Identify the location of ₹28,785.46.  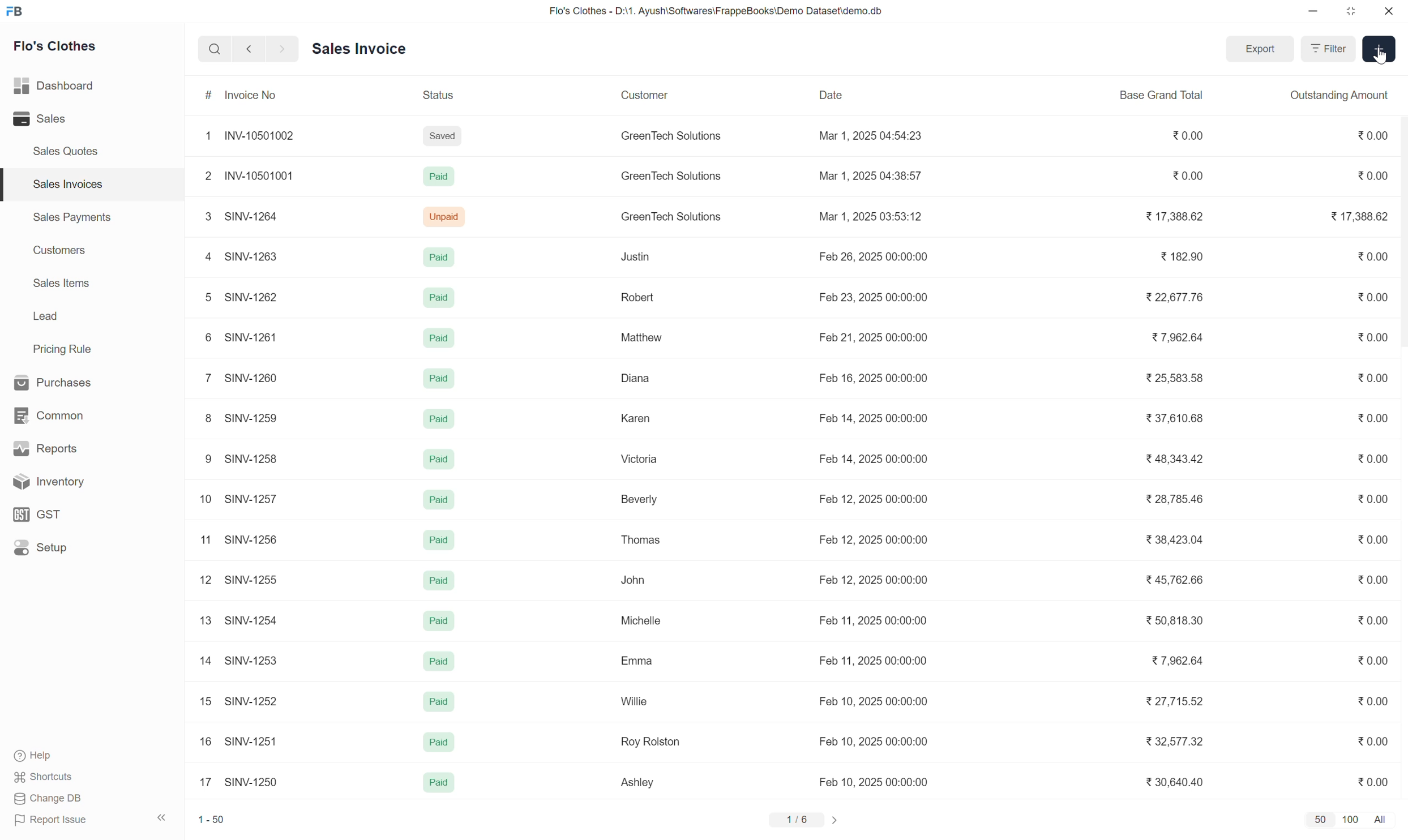
(1171, 503).